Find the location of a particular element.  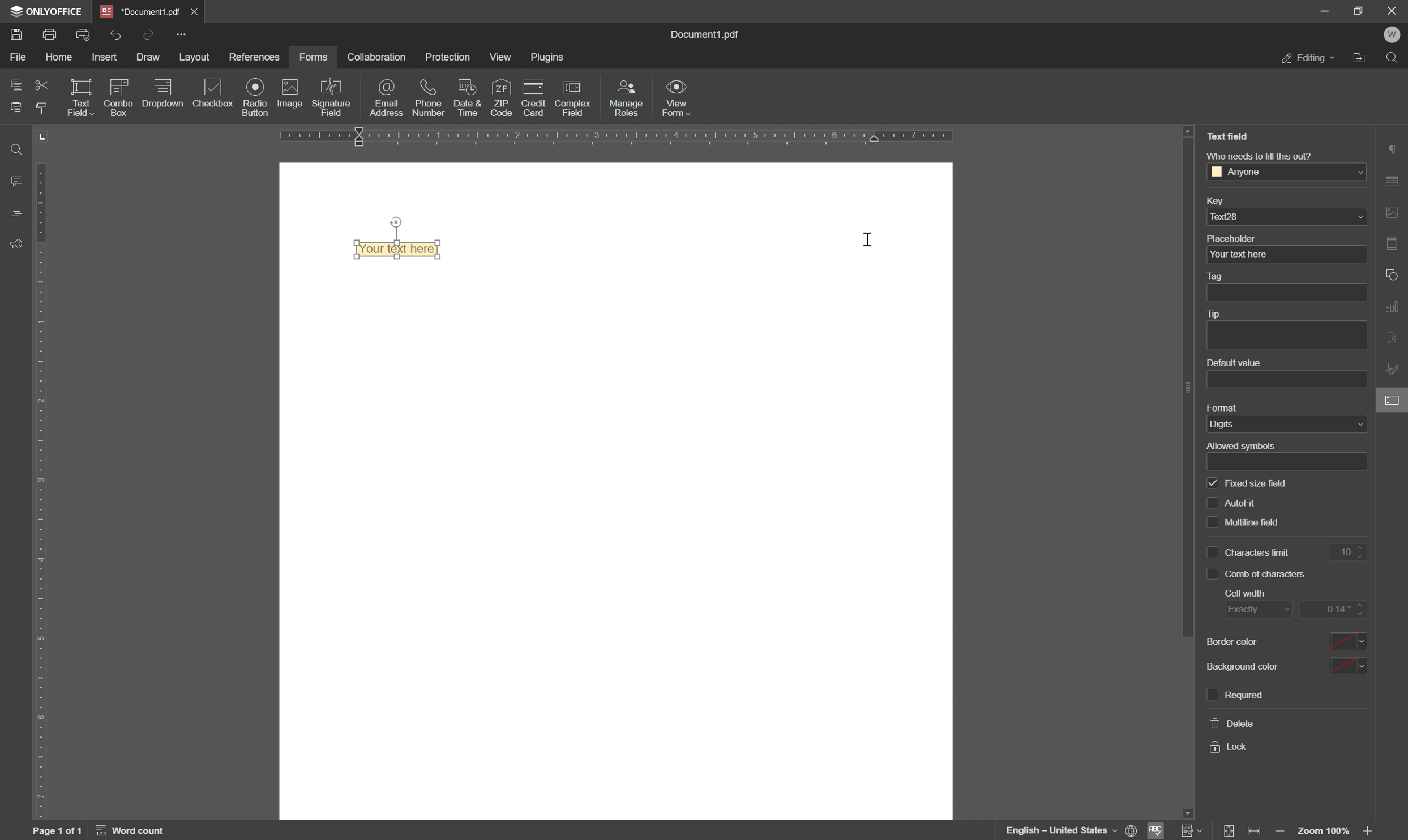

signature settings is located at coordinates (1394, 367).